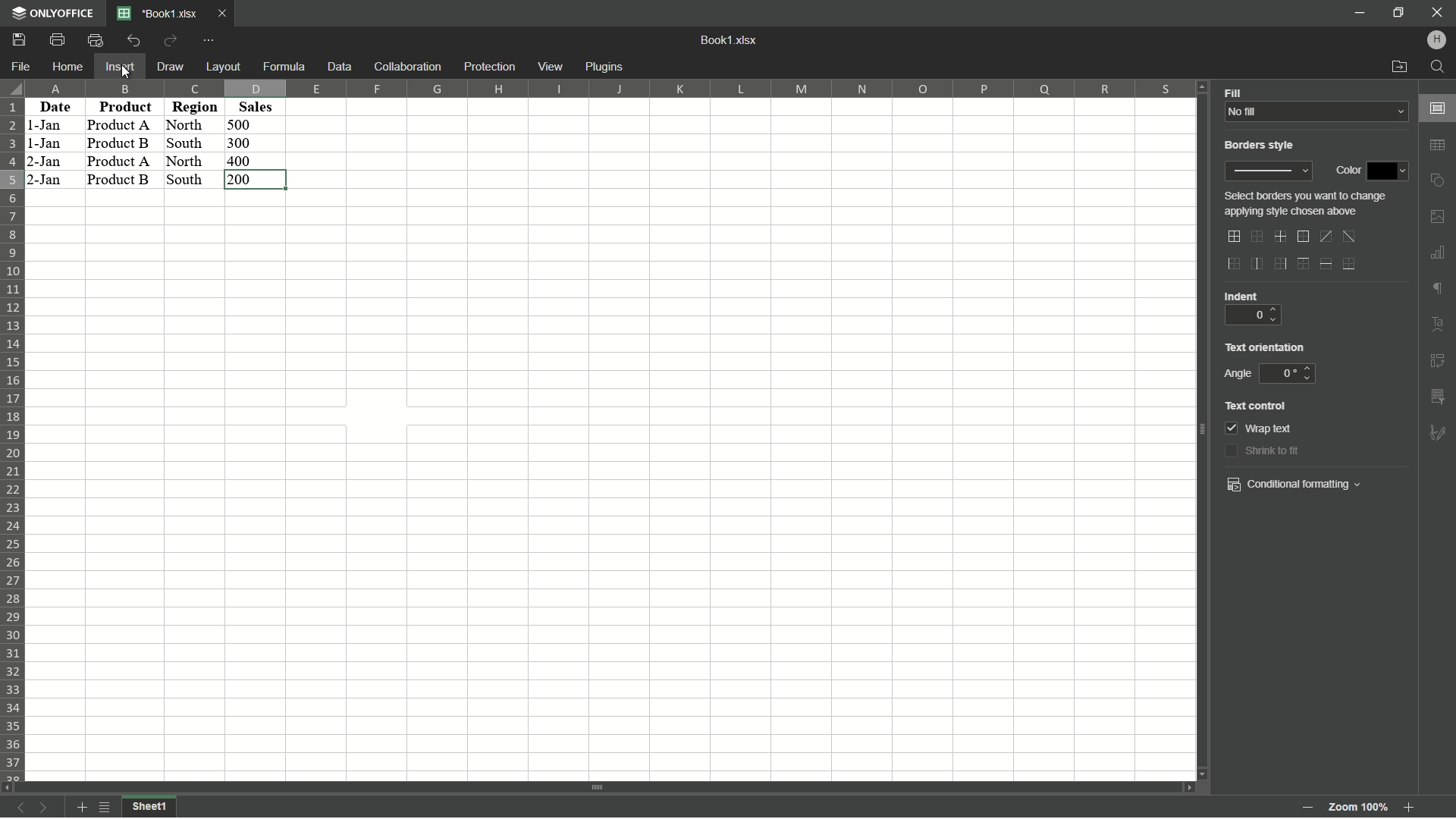 Image resolution: width=1456 pixels, height=819 pixels. What do you see at coordinates (135, 40) in the screenshot?
I see `Undo` at bounding box center [135, 40].